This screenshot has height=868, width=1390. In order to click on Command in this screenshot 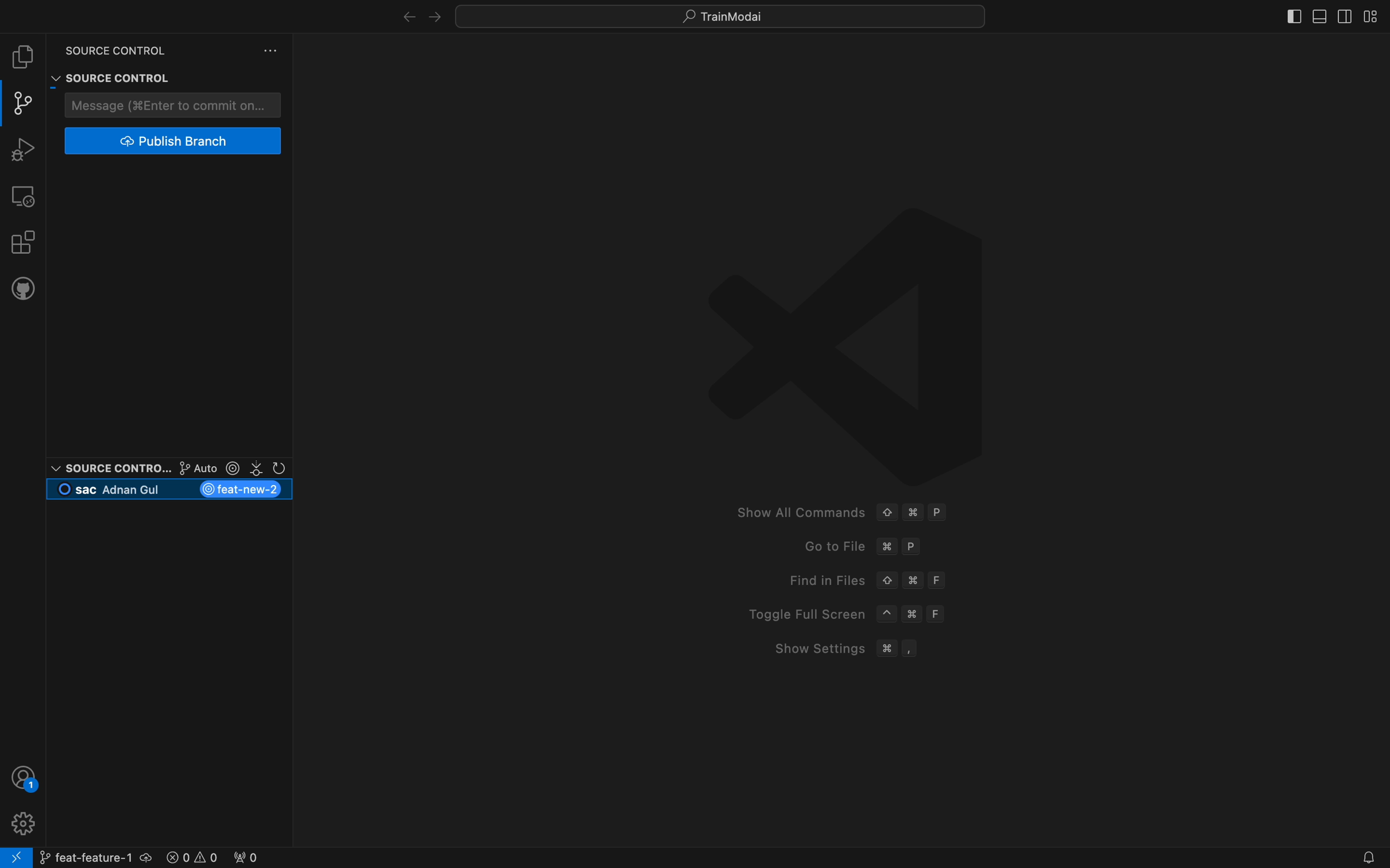, I will do `click(913, 513)`.